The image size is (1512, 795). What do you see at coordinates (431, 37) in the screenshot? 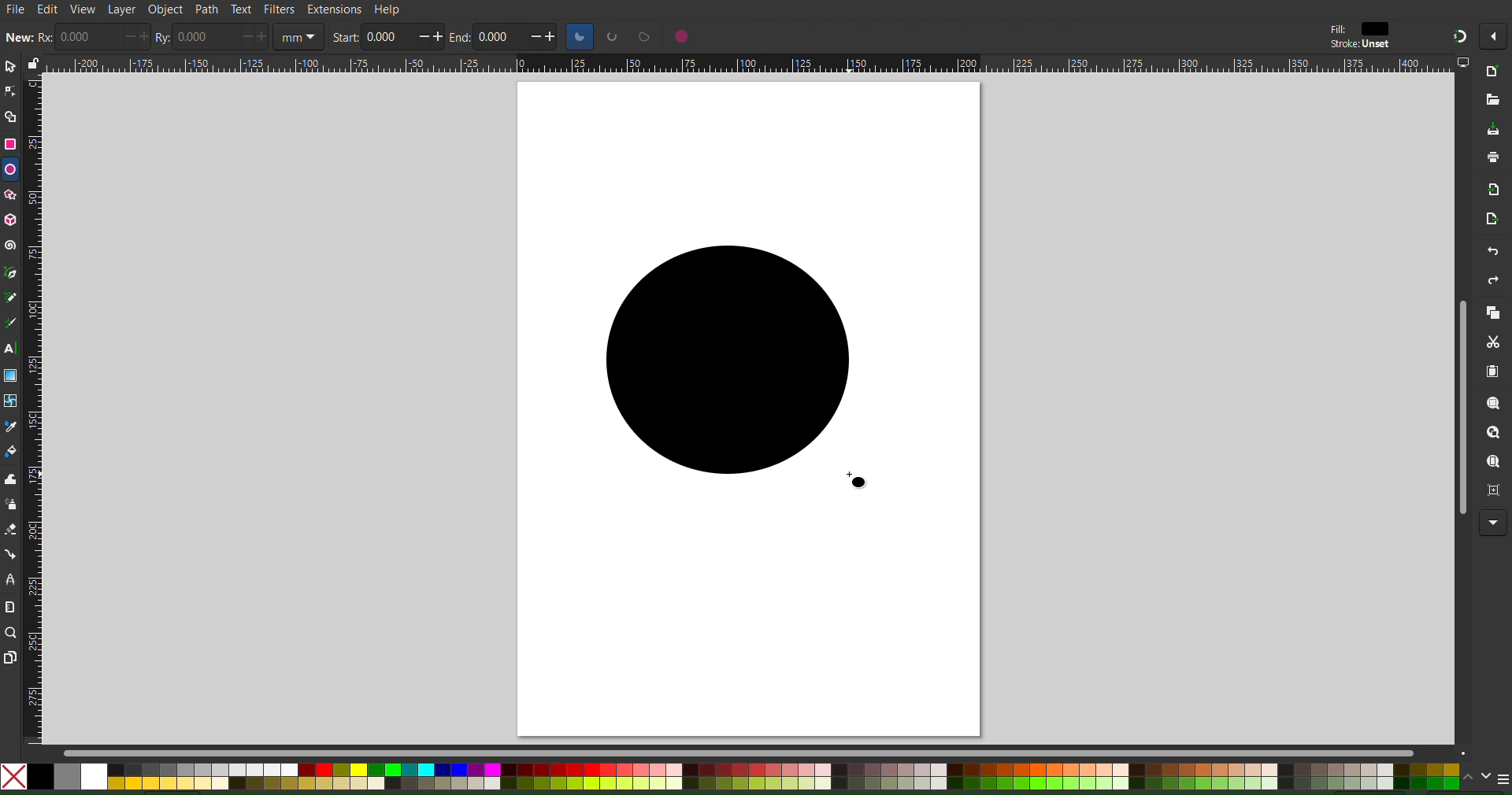
I see `increase/decrease` at bounding box center [431, 37].